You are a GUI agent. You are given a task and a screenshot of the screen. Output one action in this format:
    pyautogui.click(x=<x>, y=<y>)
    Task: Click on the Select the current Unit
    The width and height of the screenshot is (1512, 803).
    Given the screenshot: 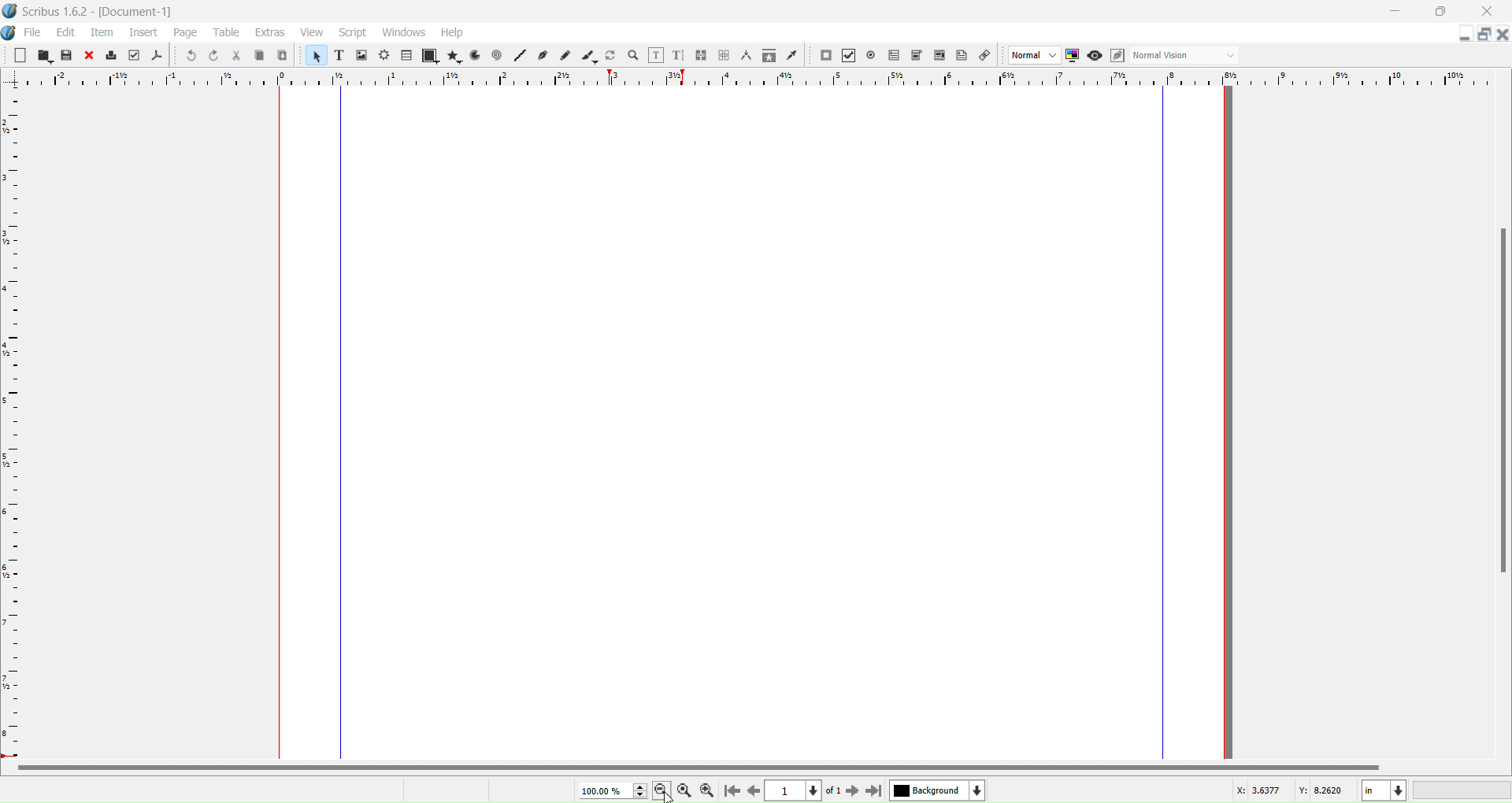 What is the action you would take?
    pyautogui.click(x=1384, y=790)
    